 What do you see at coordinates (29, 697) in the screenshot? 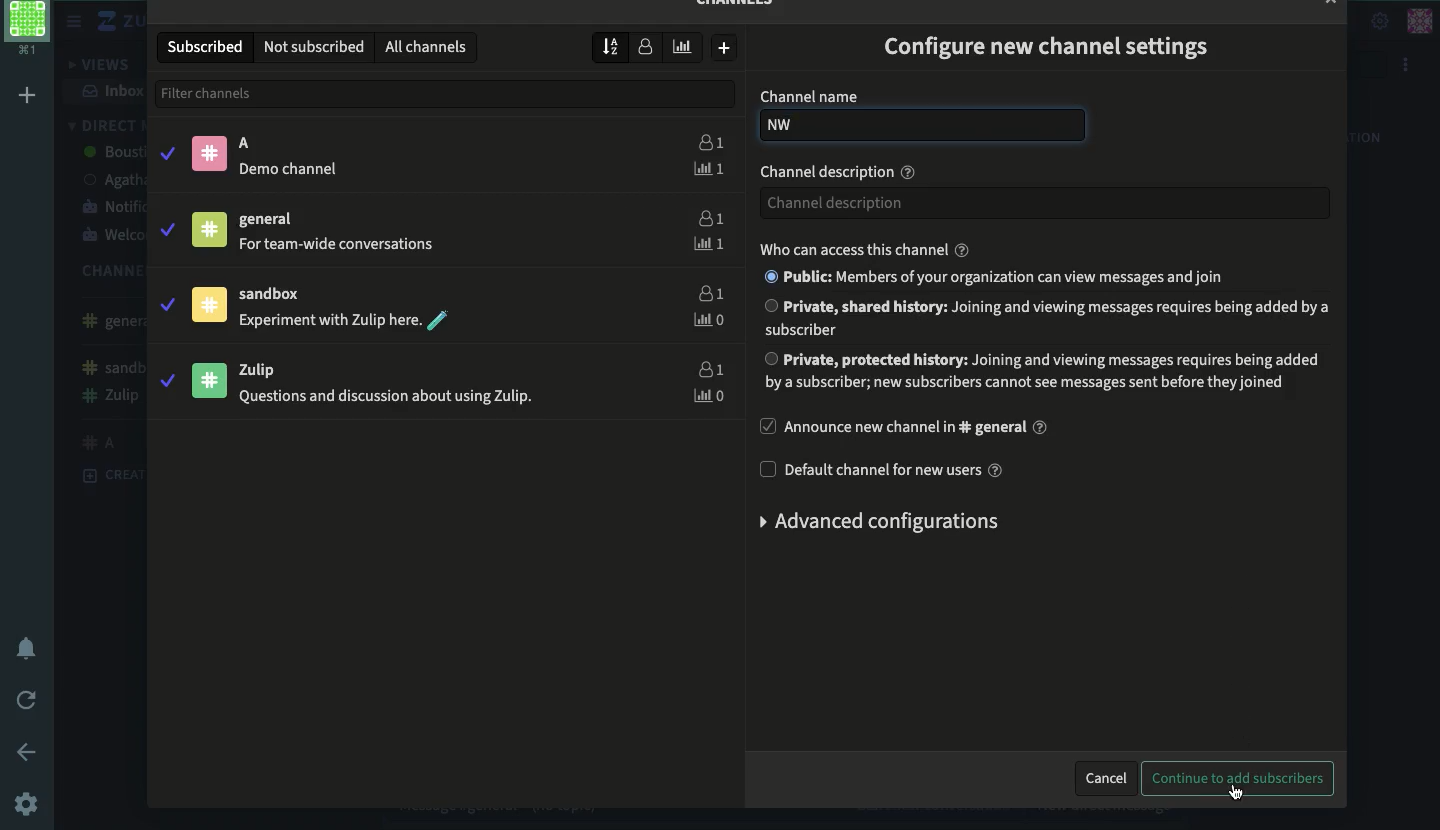
I see `refresh` at bounding box center [29, 697].